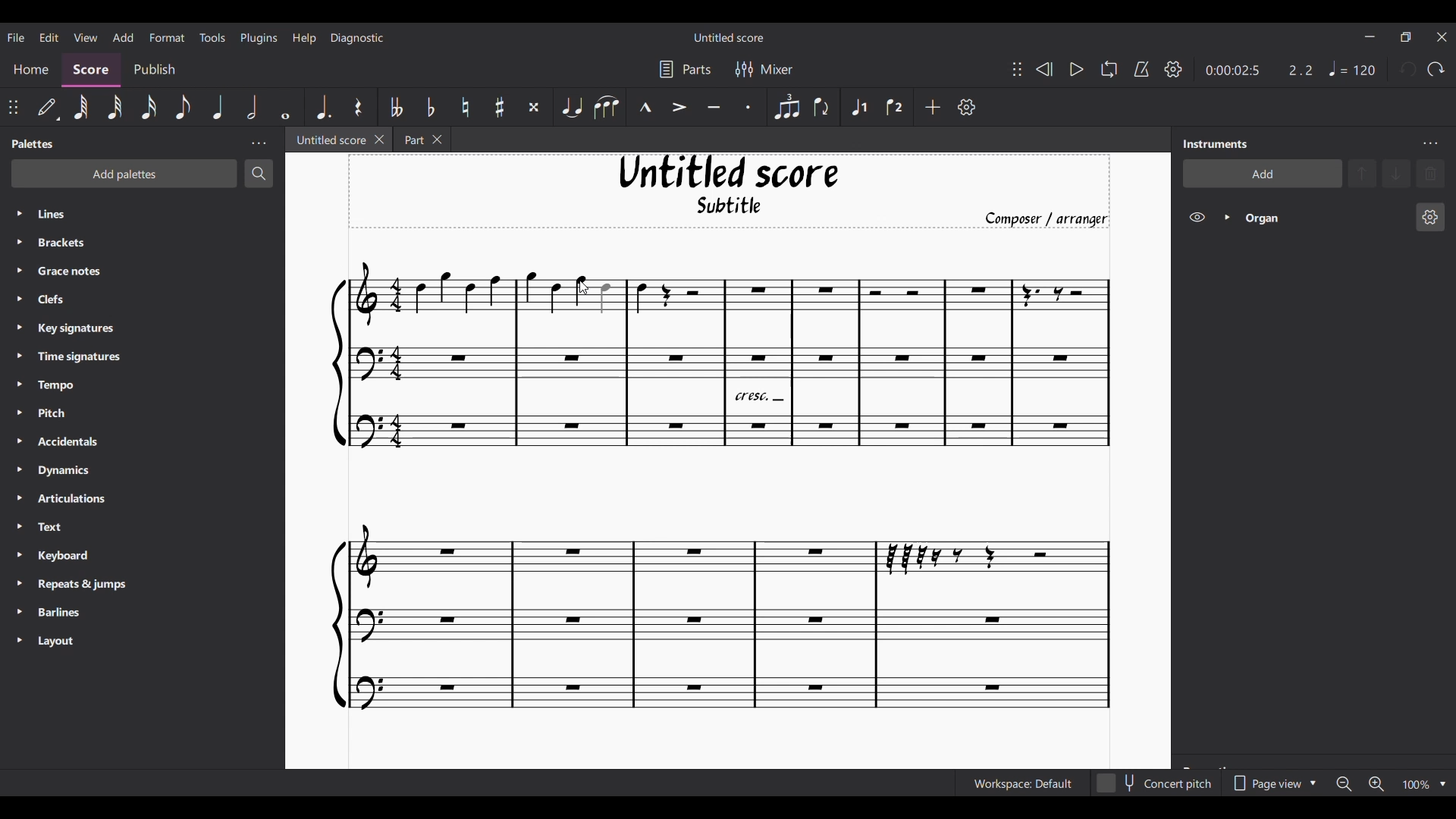  What do you see at coordinates (91, 71) in the screenshot?
I see `Score section, highlighted` at bounding box center [91, 71].